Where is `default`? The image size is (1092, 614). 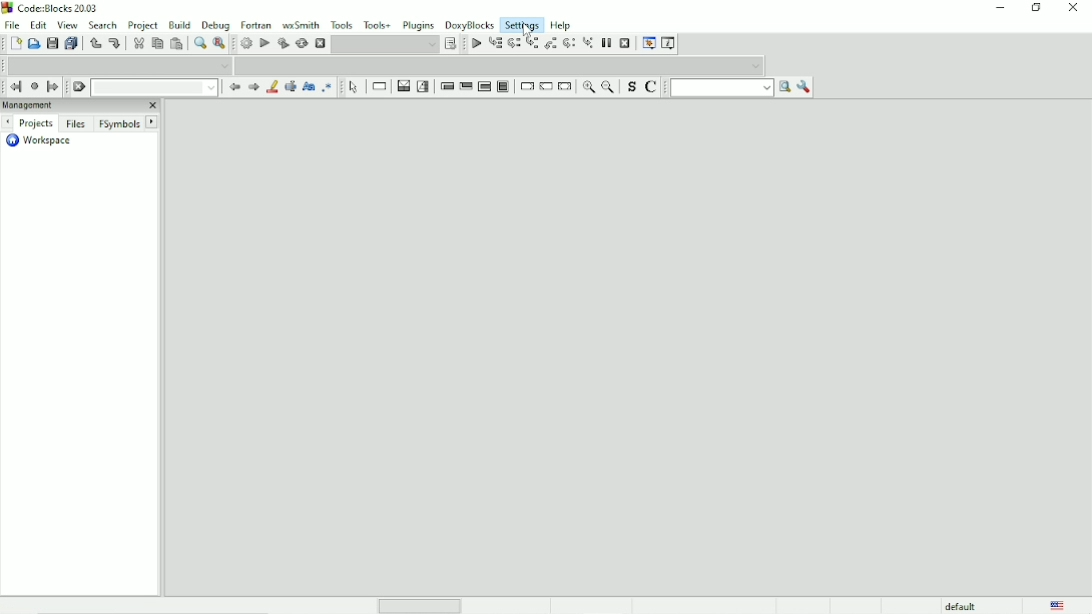 default is located at coordinates (962, 606).